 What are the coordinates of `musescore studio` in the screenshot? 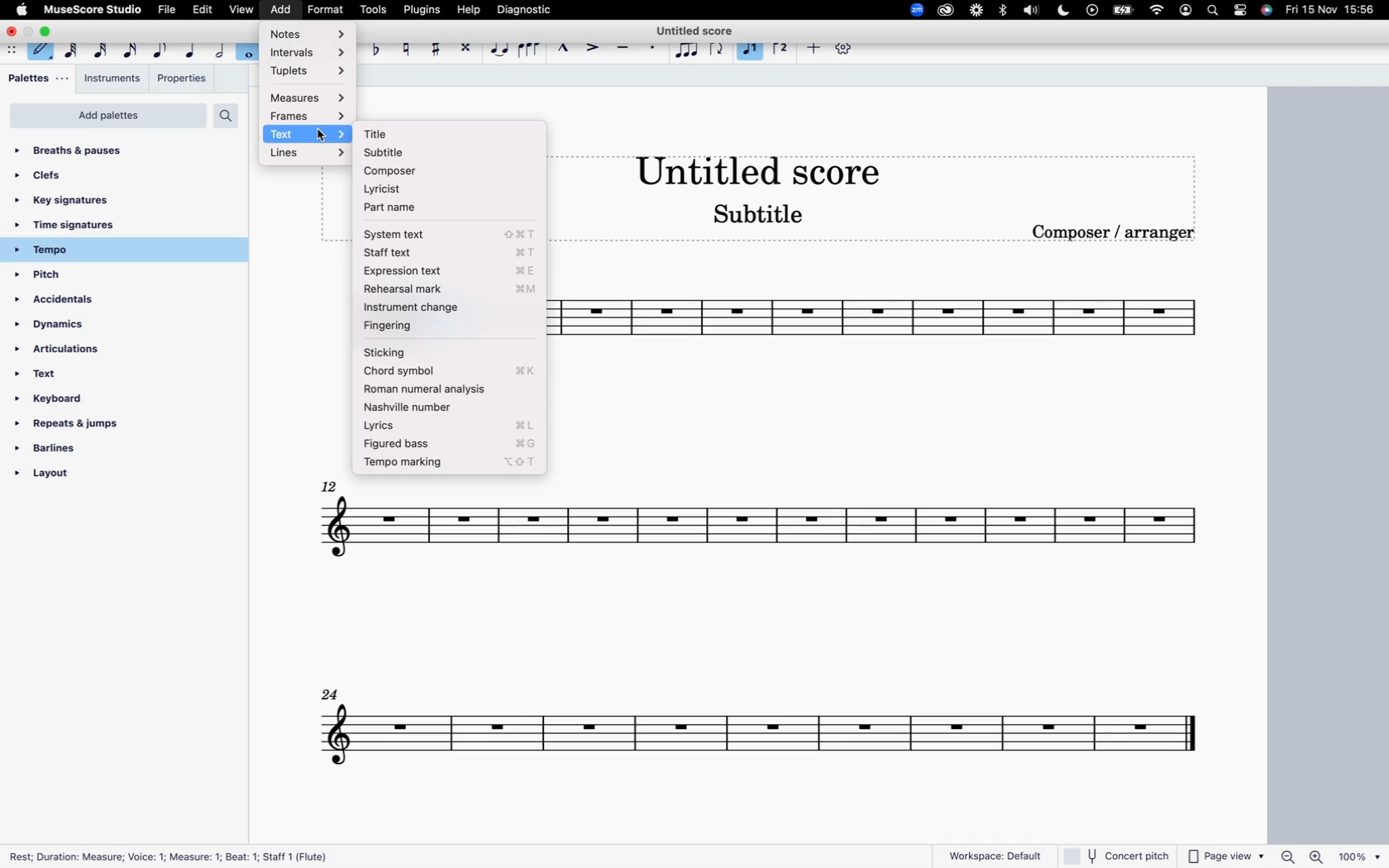 It's located at (94, 9).